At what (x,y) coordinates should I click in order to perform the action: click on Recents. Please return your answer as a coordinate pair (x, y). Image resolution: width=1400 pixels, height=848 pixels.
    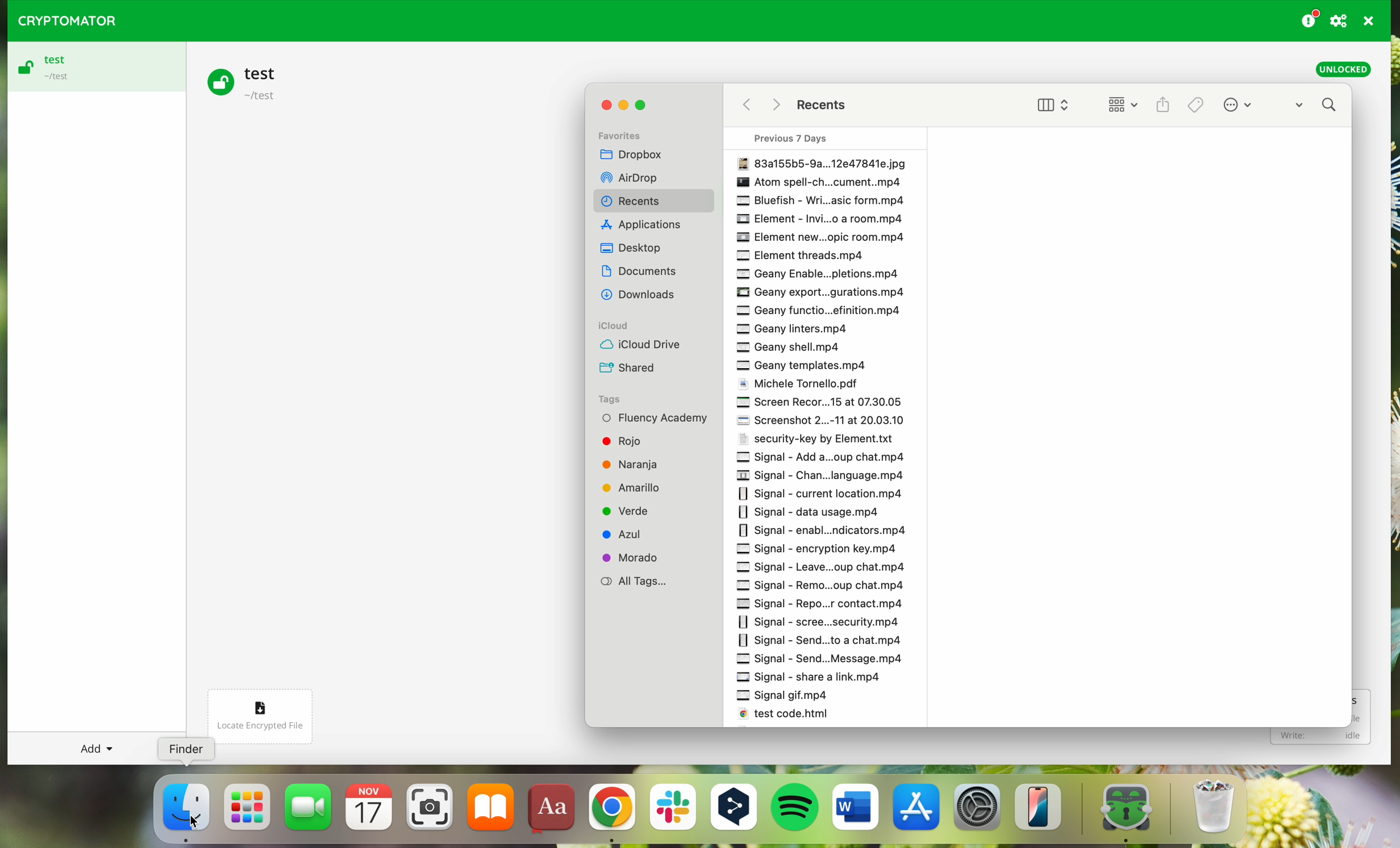
    Looking at the image, I should click on (831, 107).